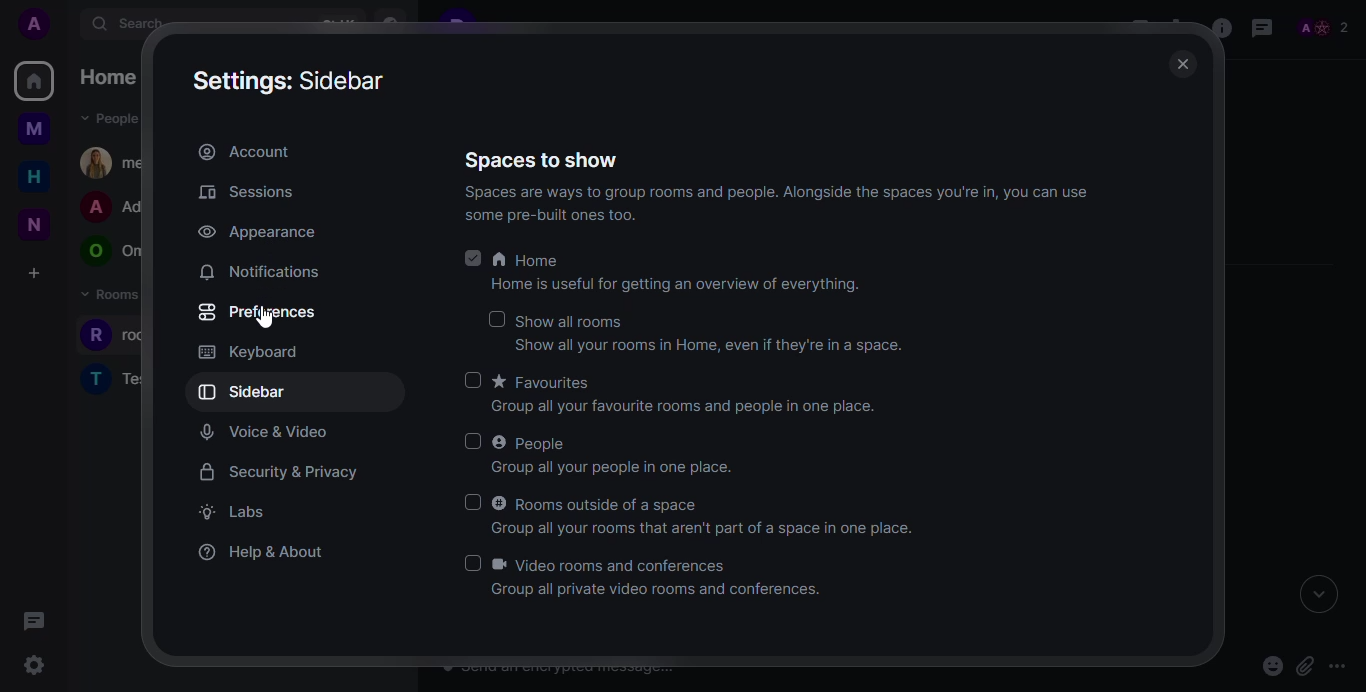  I want to click on new, so click(30, 222).